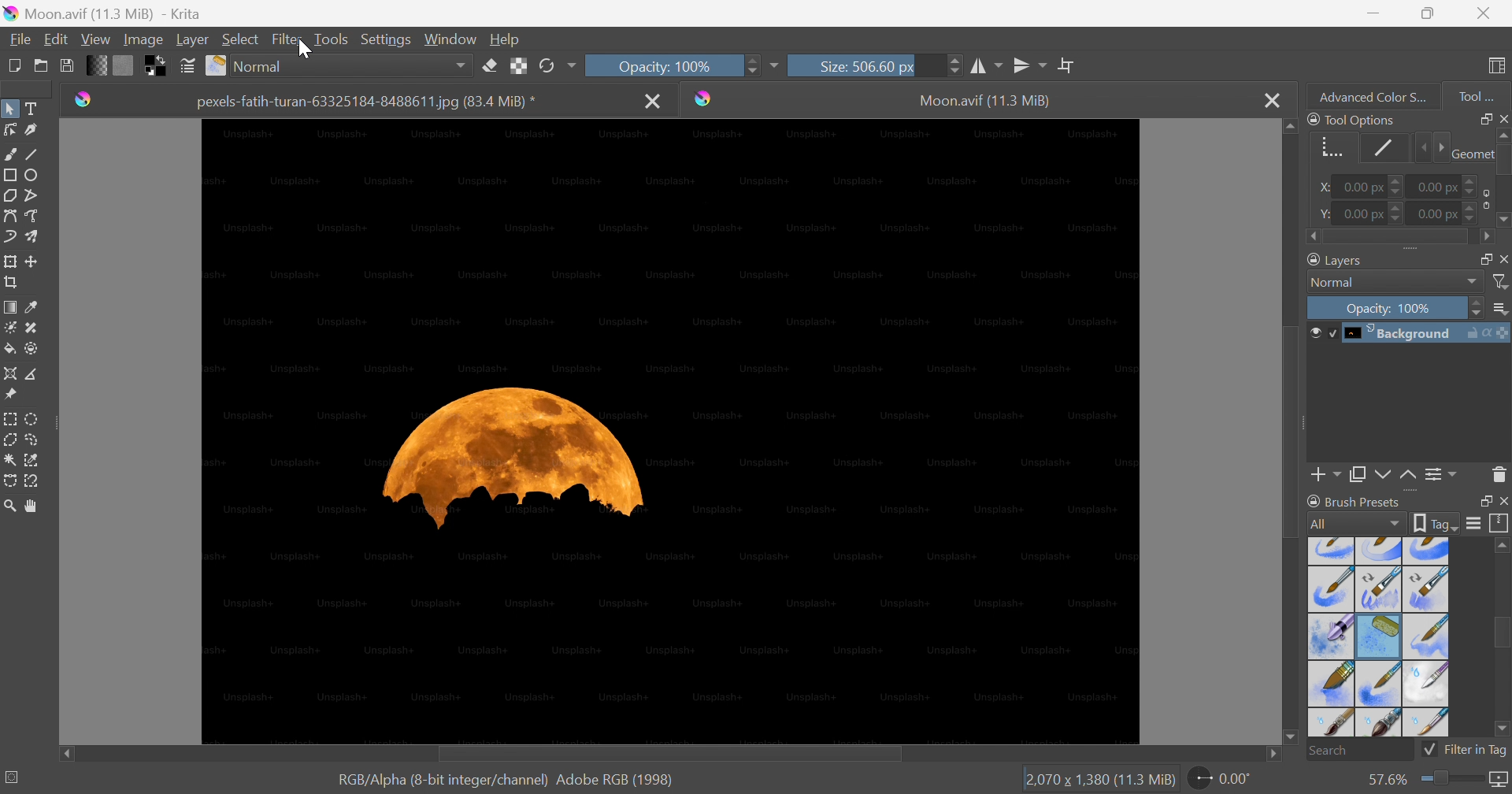 Image resolution: width=1512 pixels, height=794 pixels. Describe the element at coordinates (439, 781) in the screenshot. I see `RGB/Alpha (8-bit integer/channel)` at that location.